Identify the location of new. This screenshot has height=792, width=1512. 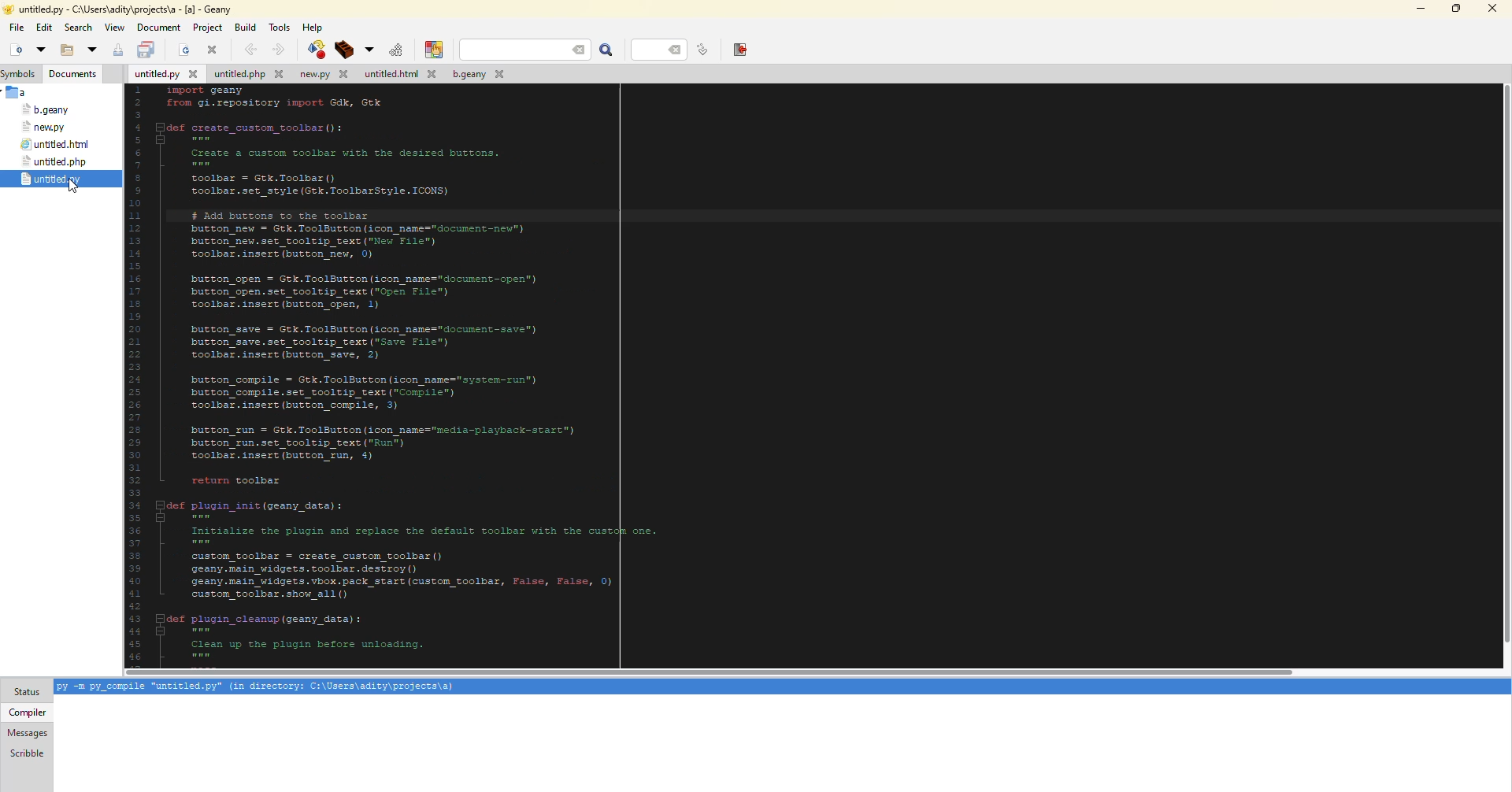
(14, 50).